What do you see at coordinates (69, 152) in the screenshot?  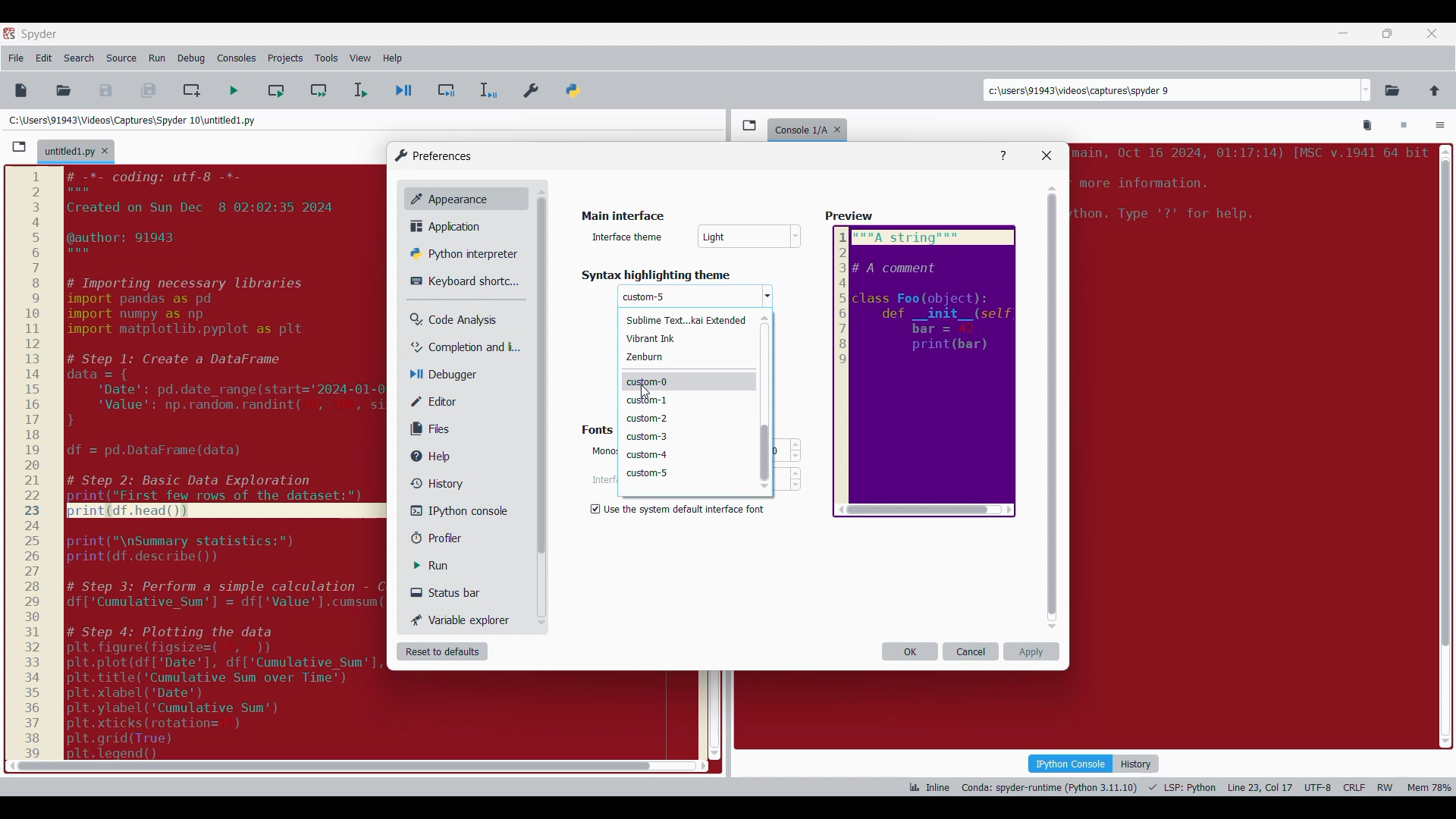 I see `Current tab` at bounding box center [69, 152].